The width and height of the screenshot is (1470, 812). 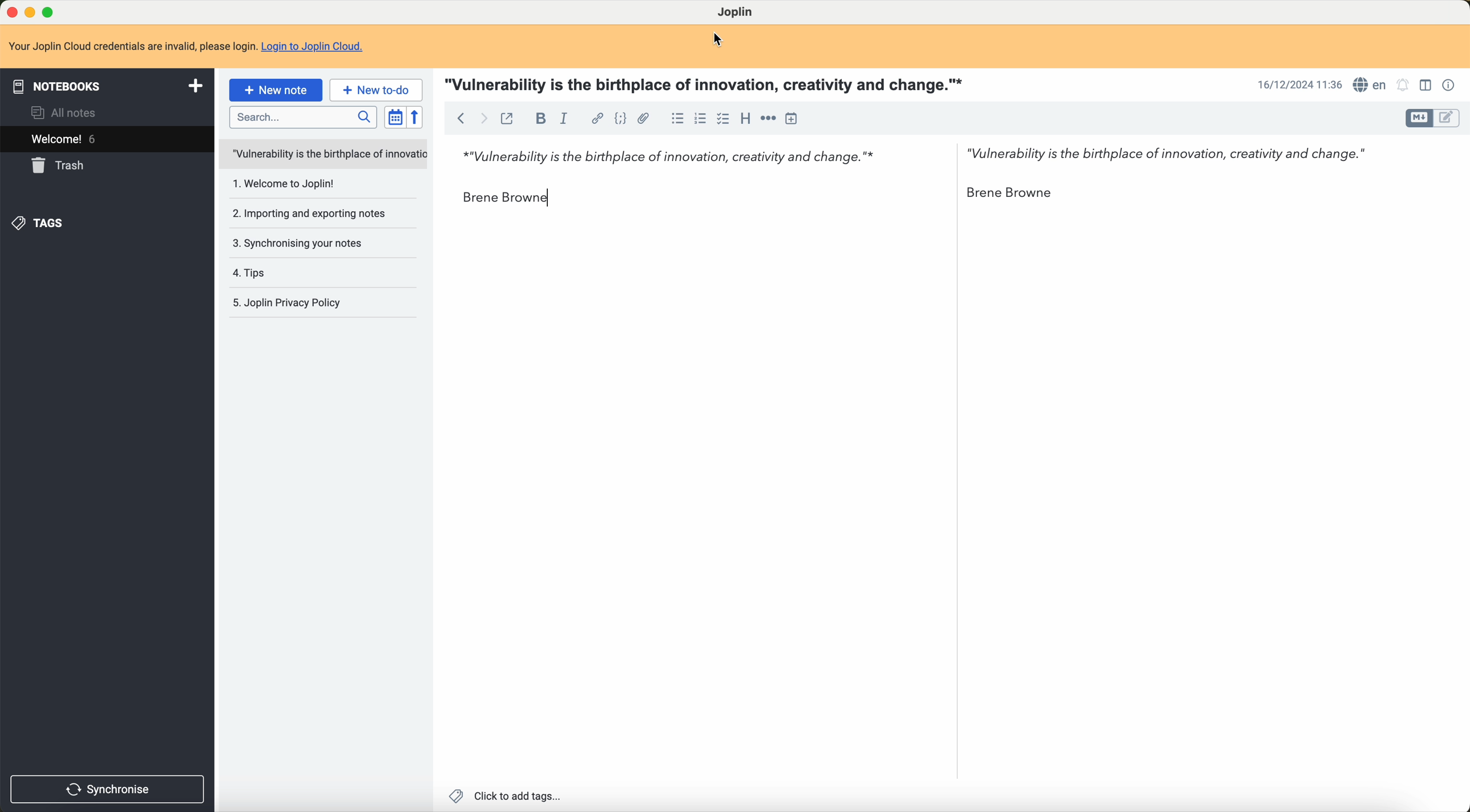 What do you see at coordinates (109, 789) in the screenshot?
I see `synchronise` at bounding box center [109, 789].